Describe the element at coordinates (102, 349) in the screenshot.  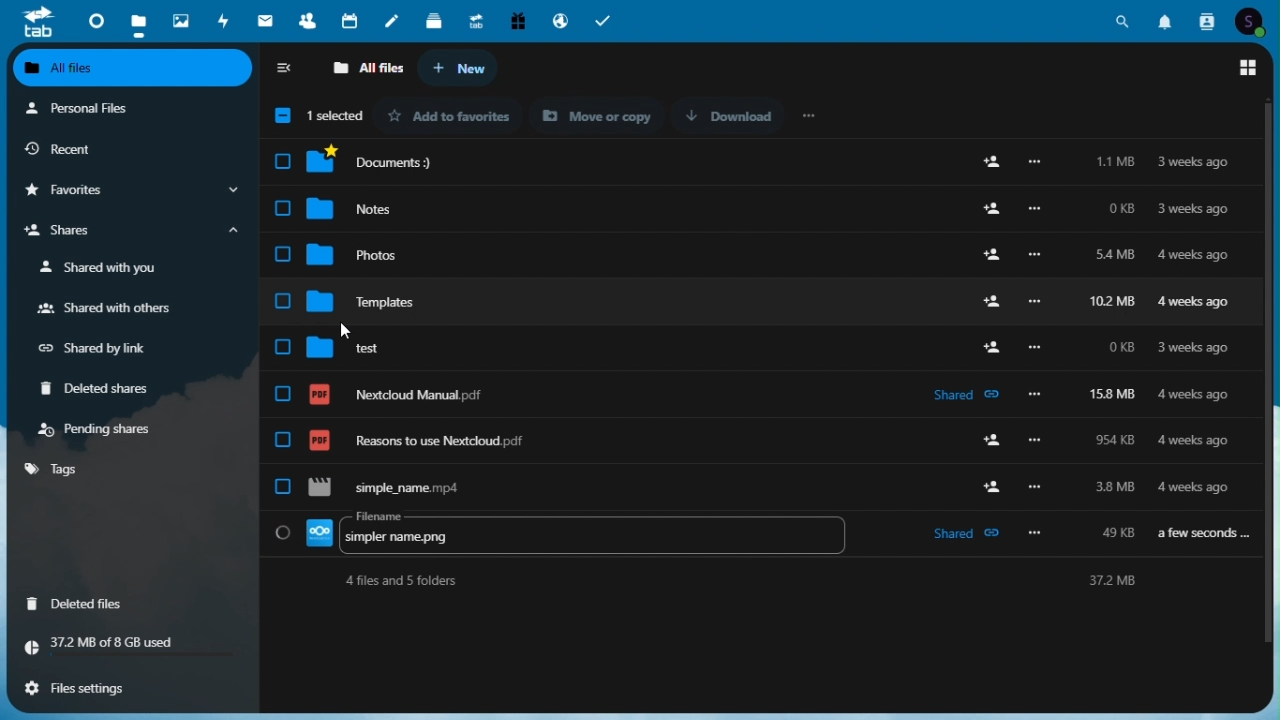
I see `shared by link` at that location.